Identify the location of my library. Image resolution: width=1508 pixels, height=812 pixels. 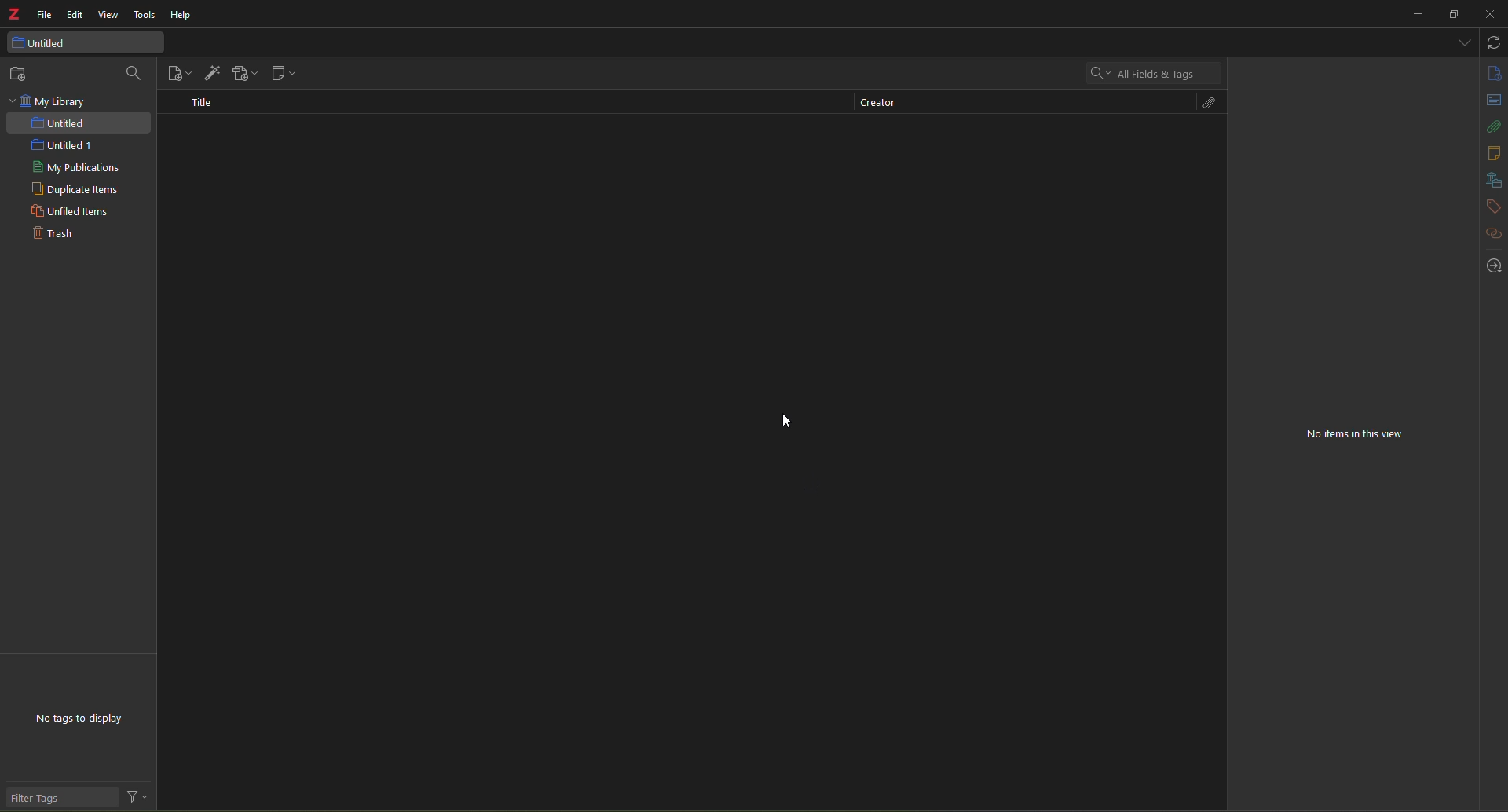
(50, 101).